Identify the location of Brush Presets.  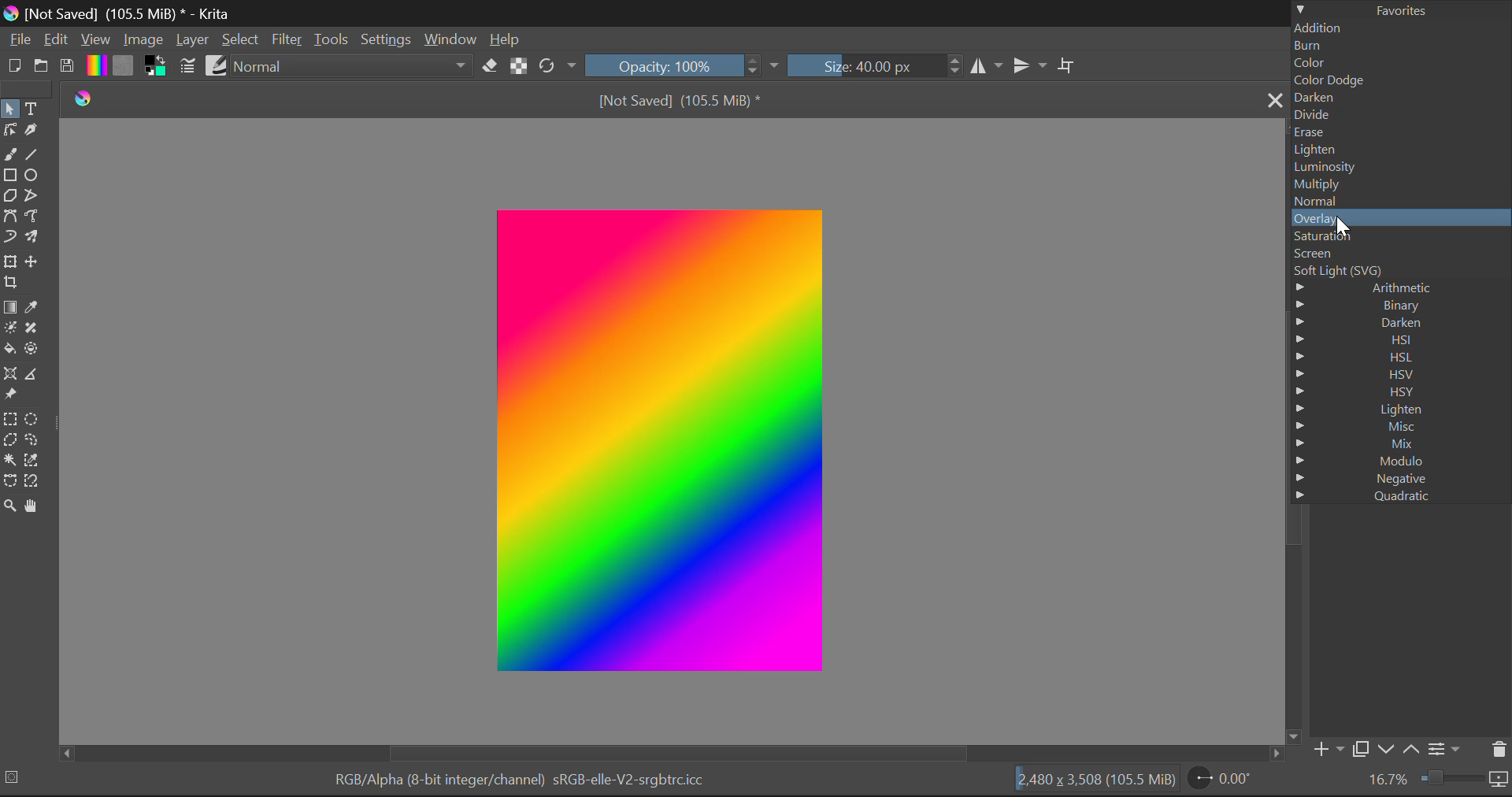
(217, 67).